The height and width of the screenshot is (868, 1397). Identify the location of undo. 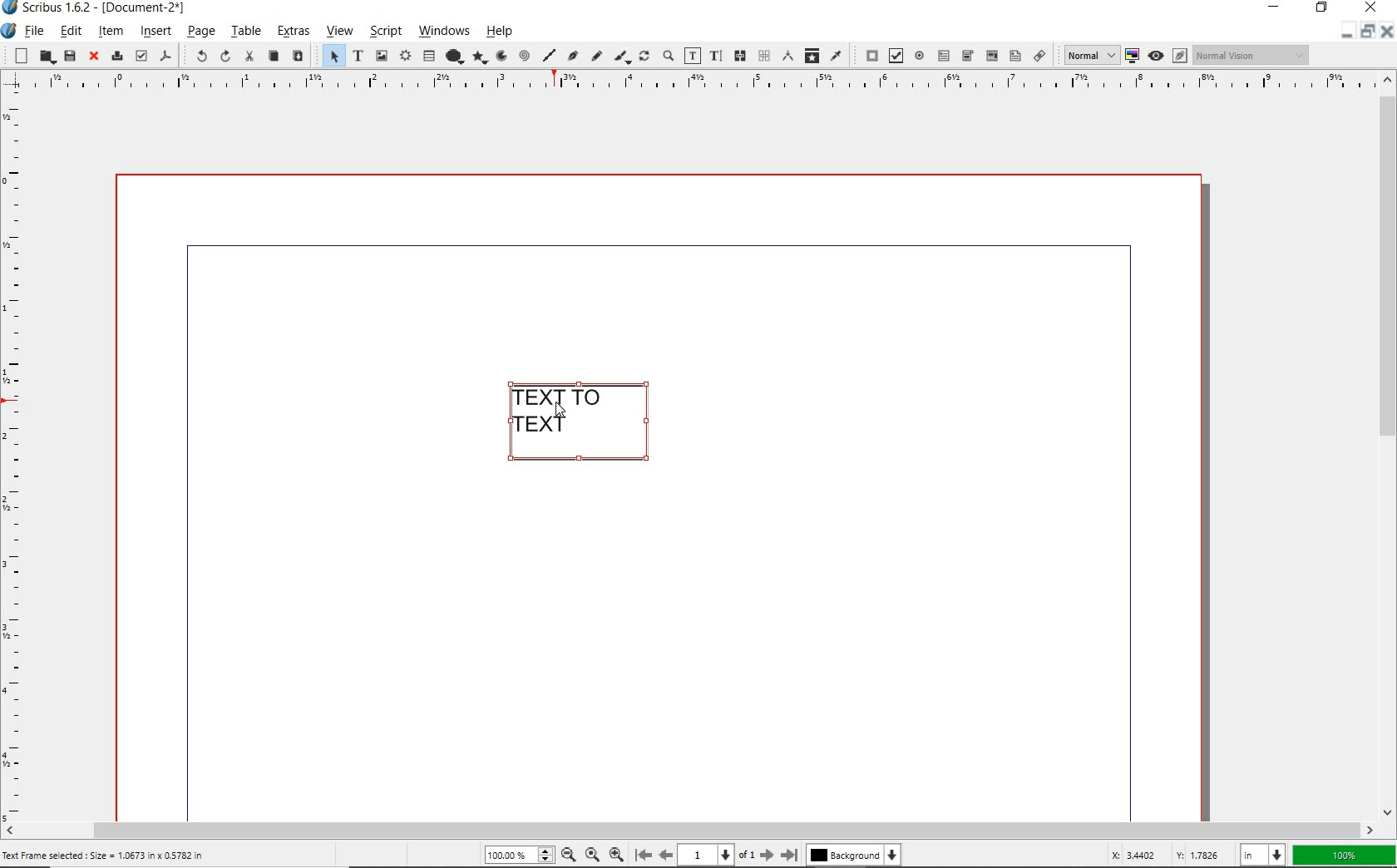
(195, 57).